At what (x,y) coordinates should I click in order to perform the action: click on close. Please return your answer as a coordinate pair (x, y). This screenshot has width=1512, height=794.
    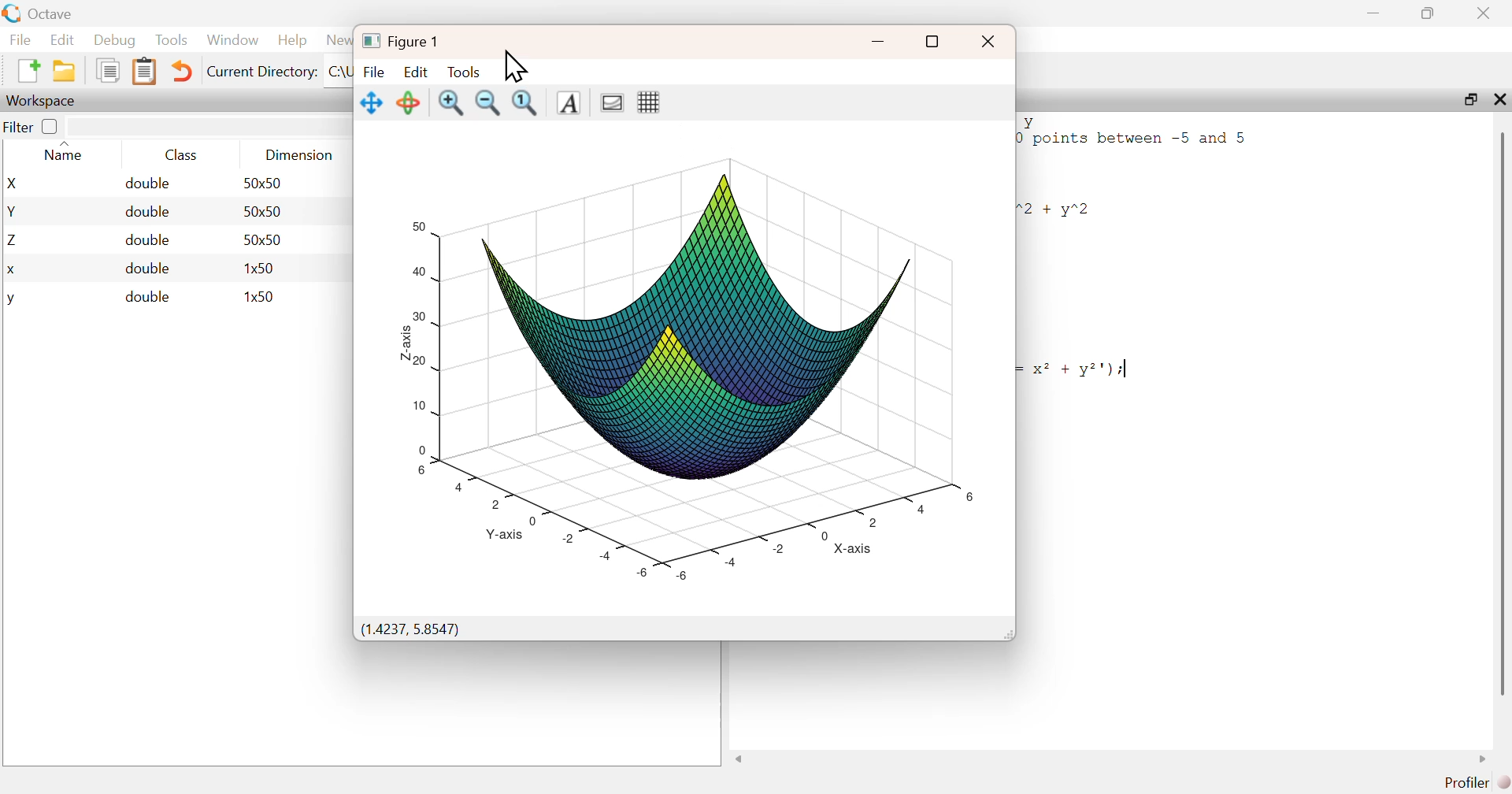
    Looking at the image, I should click on (1486, 13).